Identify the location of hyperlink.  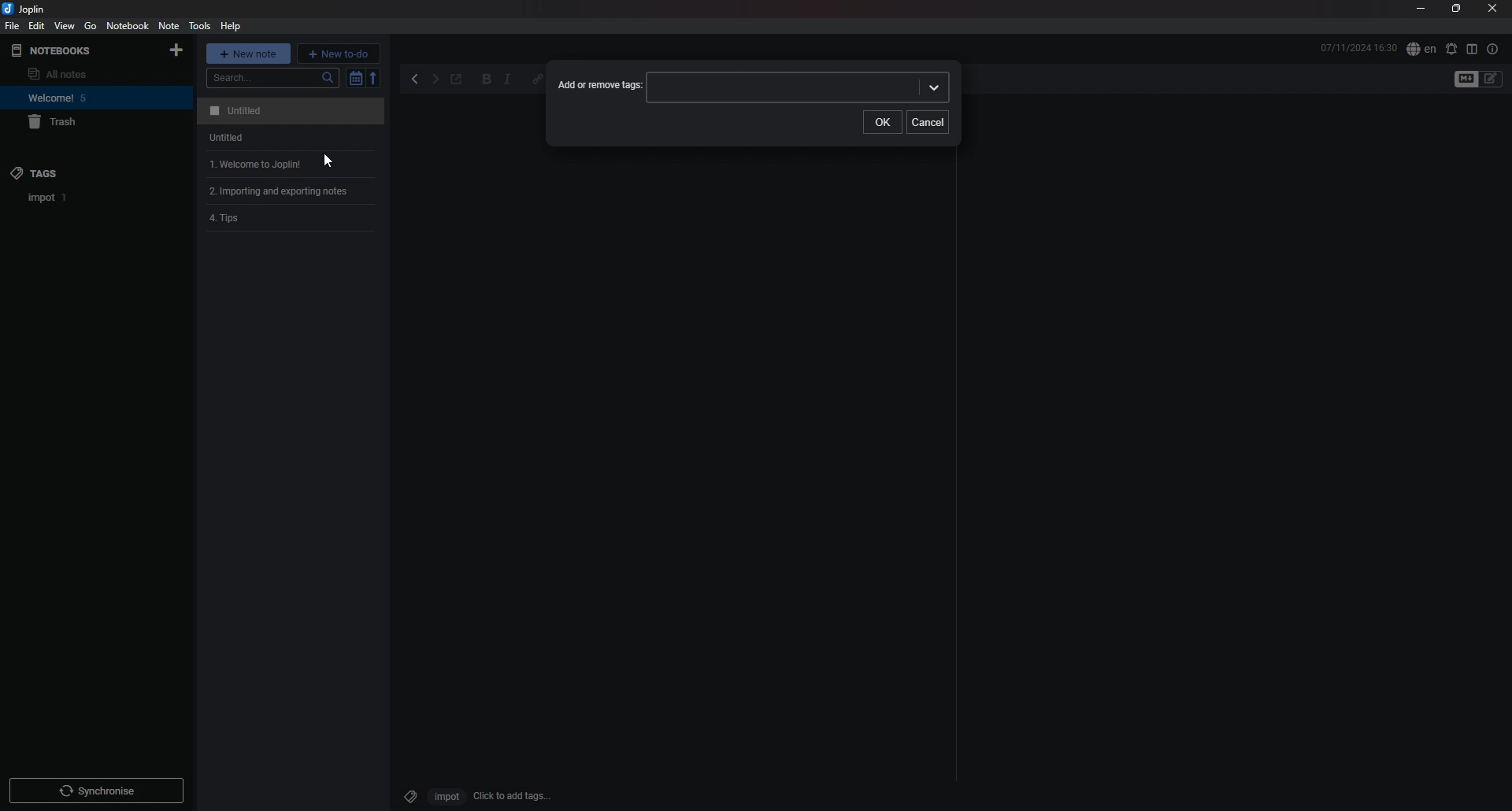
(537, 78).